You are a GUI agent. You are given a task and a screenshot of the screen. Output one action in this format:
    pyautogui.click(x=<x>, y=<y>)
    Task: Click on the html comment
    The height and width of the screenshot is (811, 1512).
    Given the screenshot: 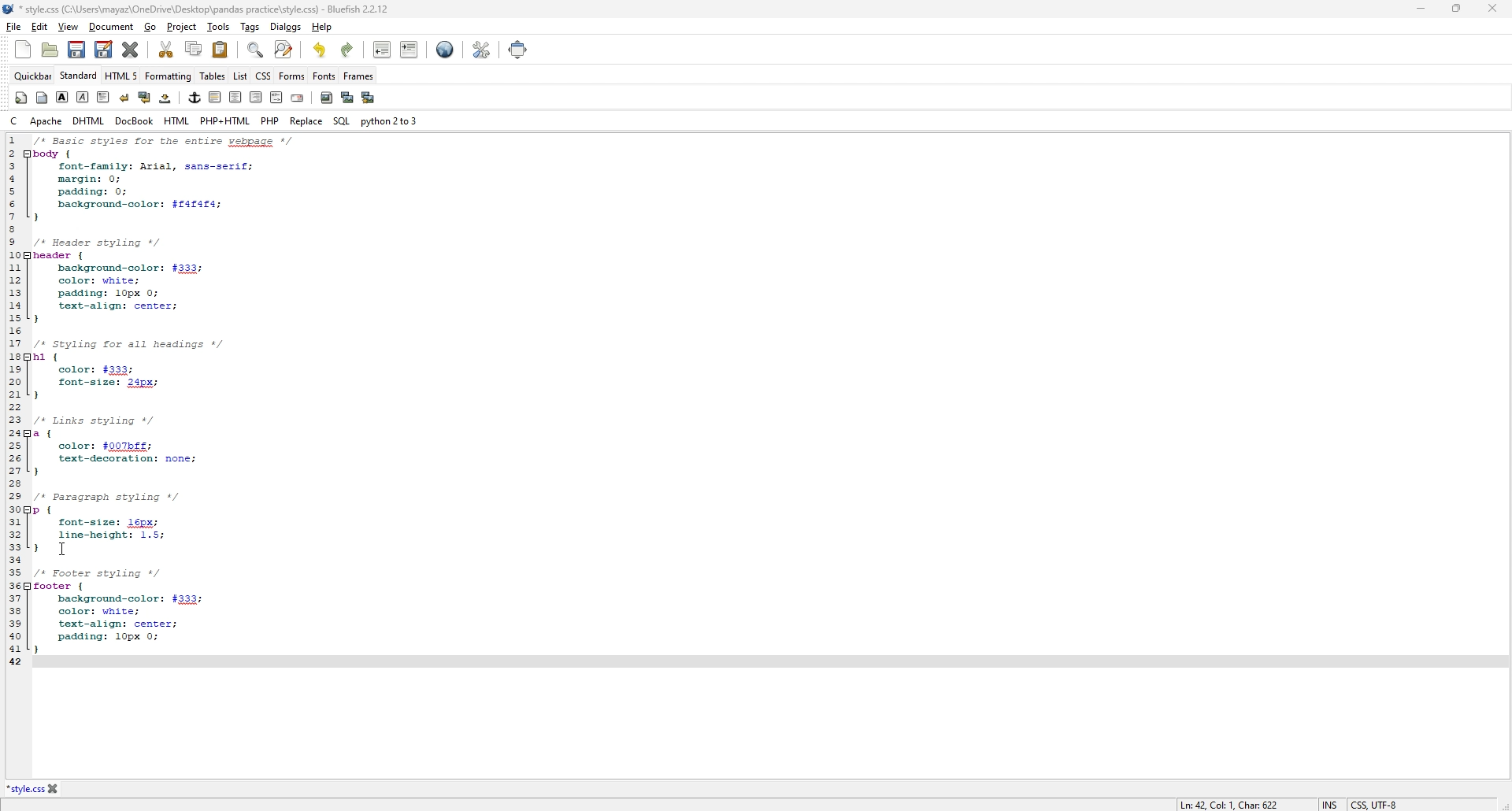 What is the action you would take?
    pyautogui.click(x=277, y=98)
    